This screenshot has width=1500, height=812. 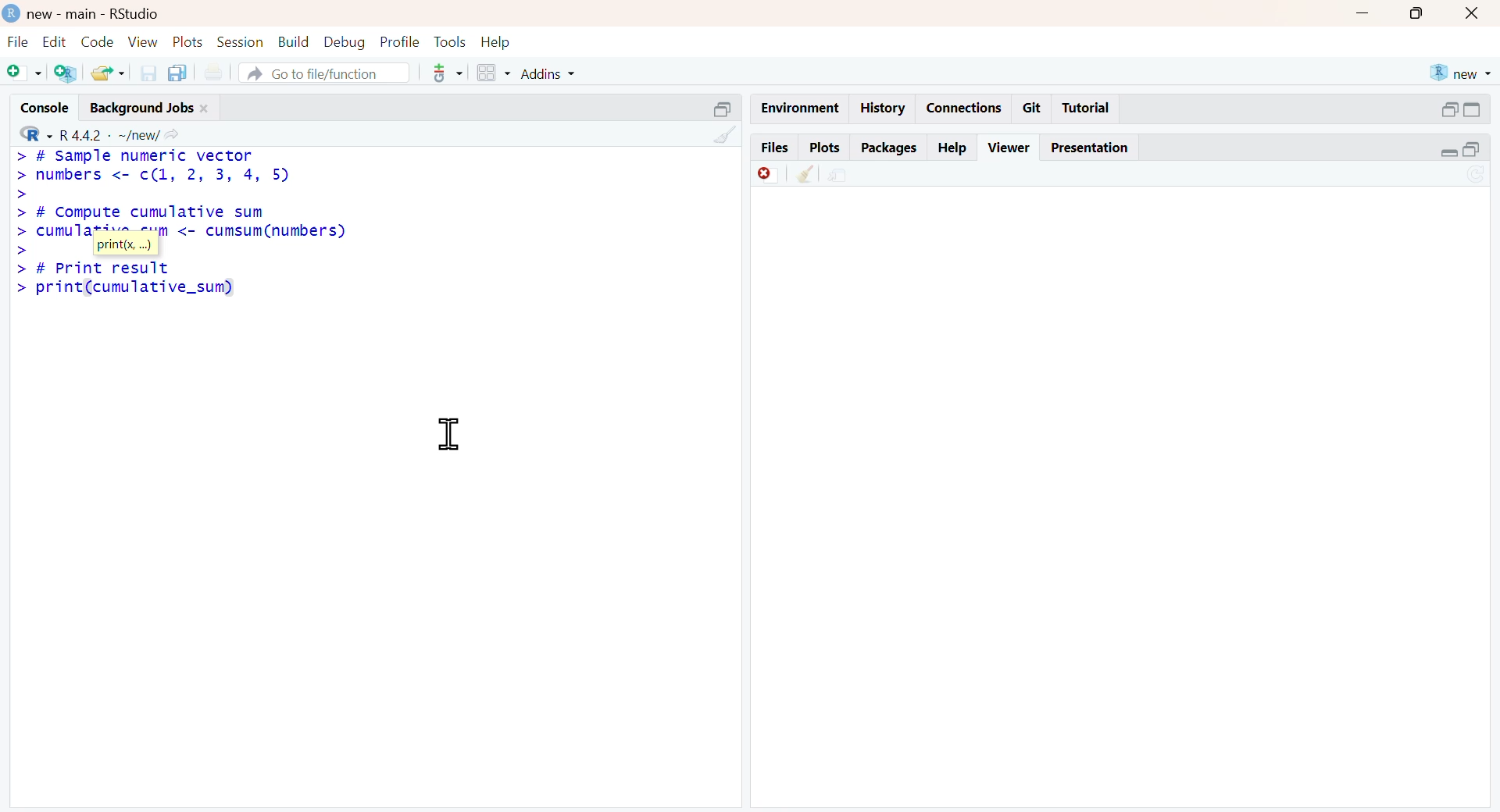 What do you see at coordinates (1471, 150) in the screenshot?
I see `open in separate window` at bounding box center [1471, 150].